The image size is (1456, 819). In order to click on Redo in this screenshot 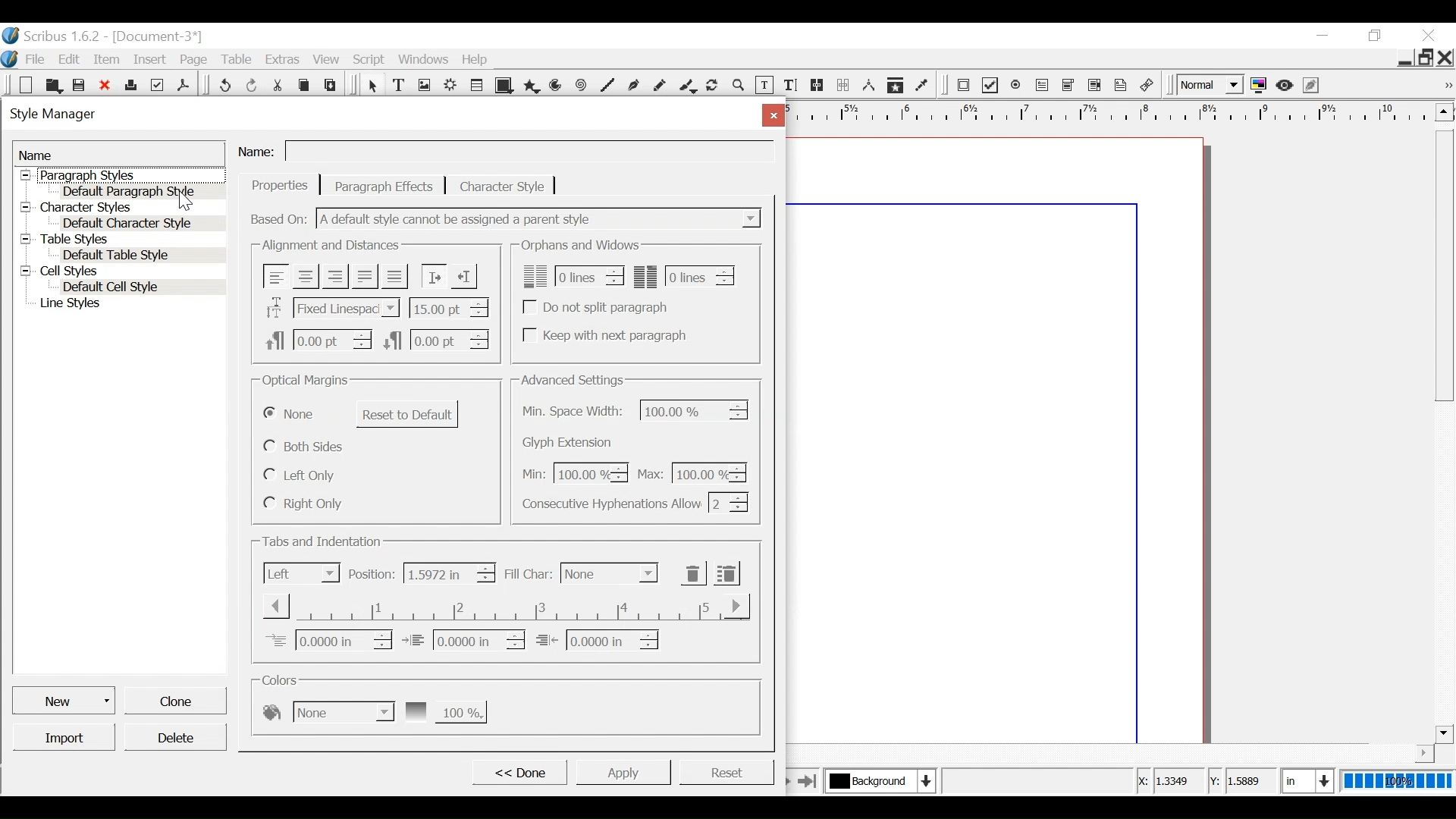, I will do `click(253, 84)`.